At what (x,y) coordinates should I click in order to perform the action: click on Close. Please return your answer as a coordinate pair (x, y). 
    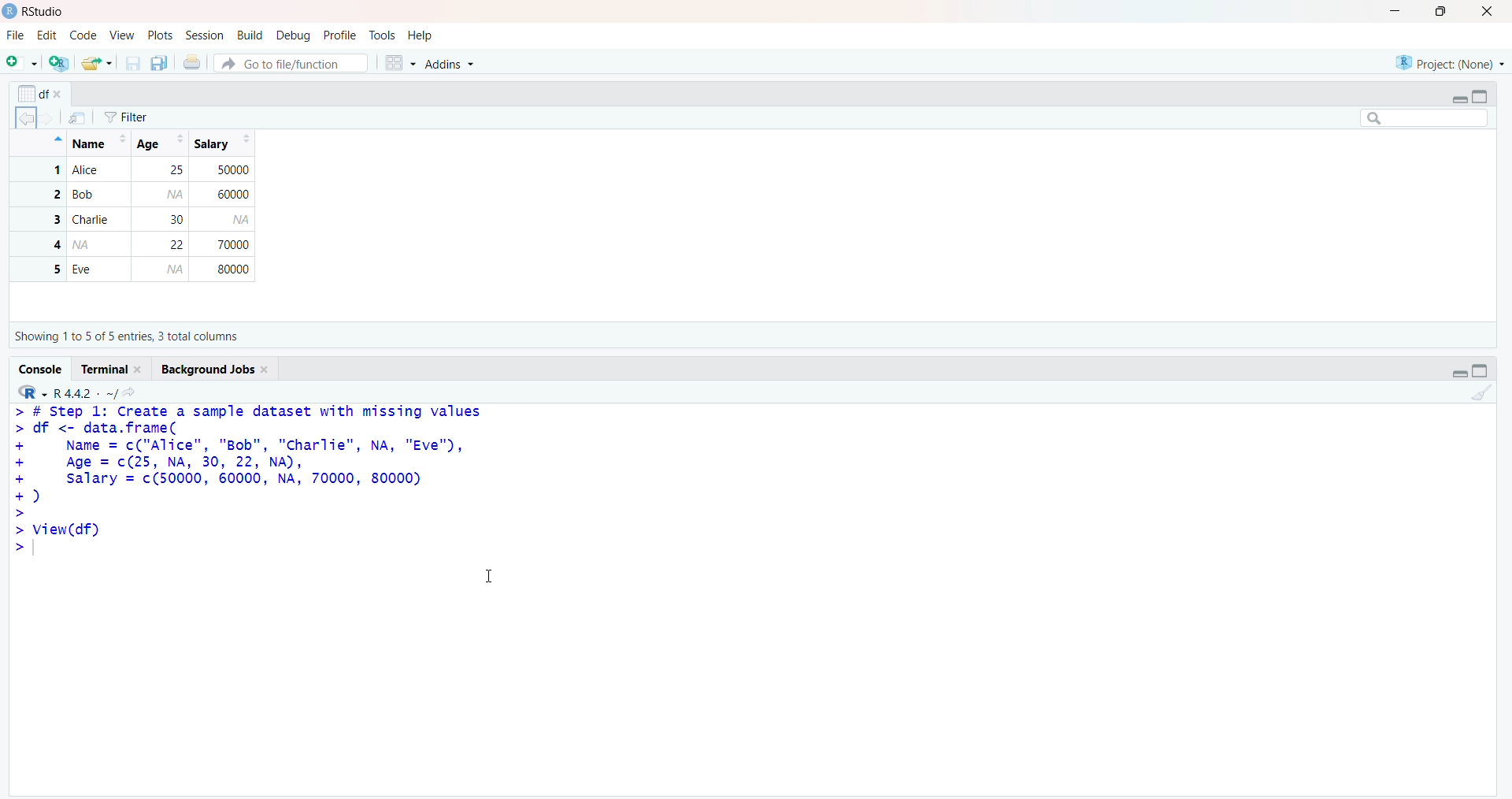
    Looking at the image, I should click on (1492, 13).